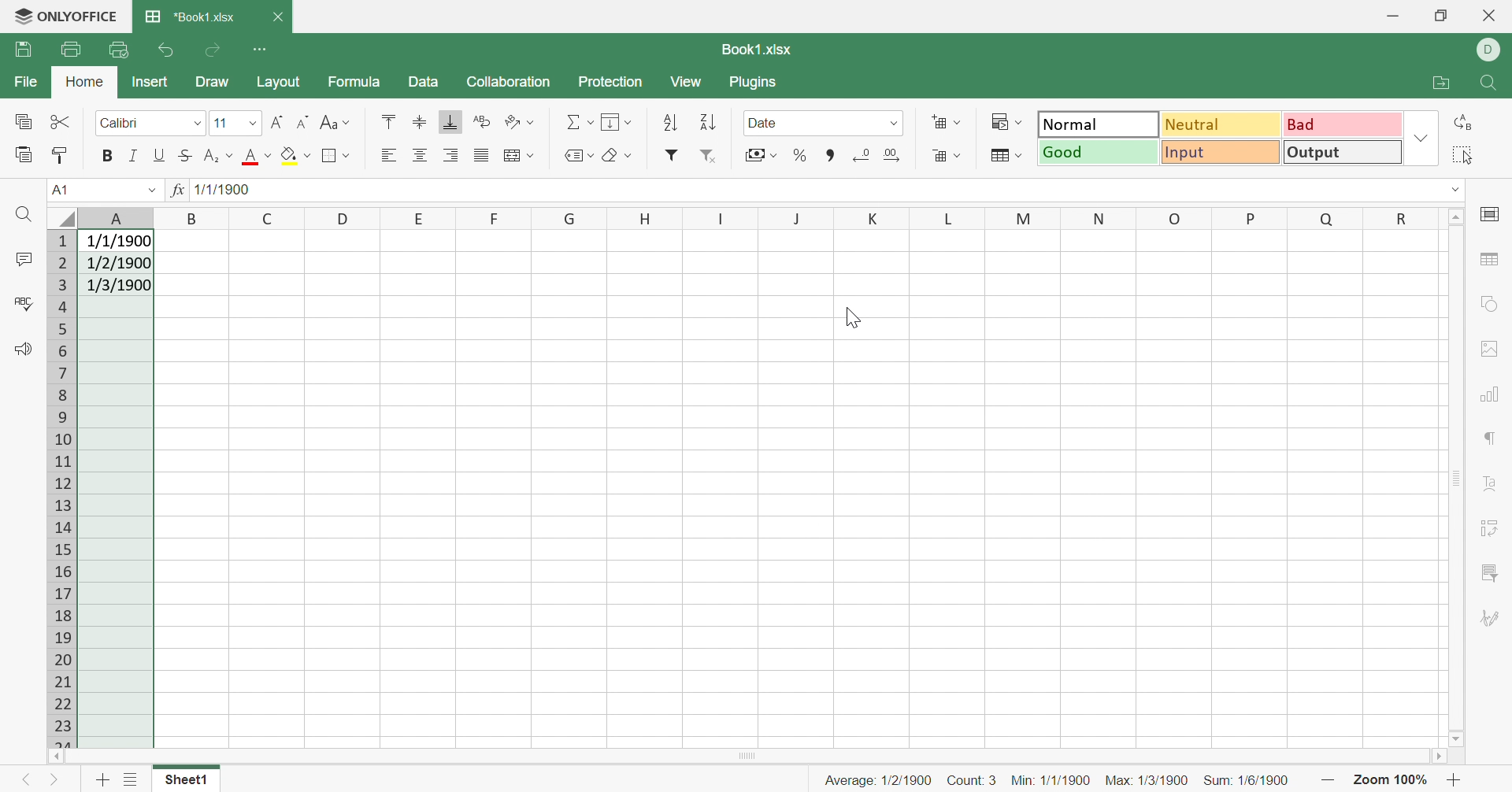 The height and width of the screenshot is (792, 1512). Describe the element at coordinates (906, 152) in the screenshot. I see `Number format` at that location.